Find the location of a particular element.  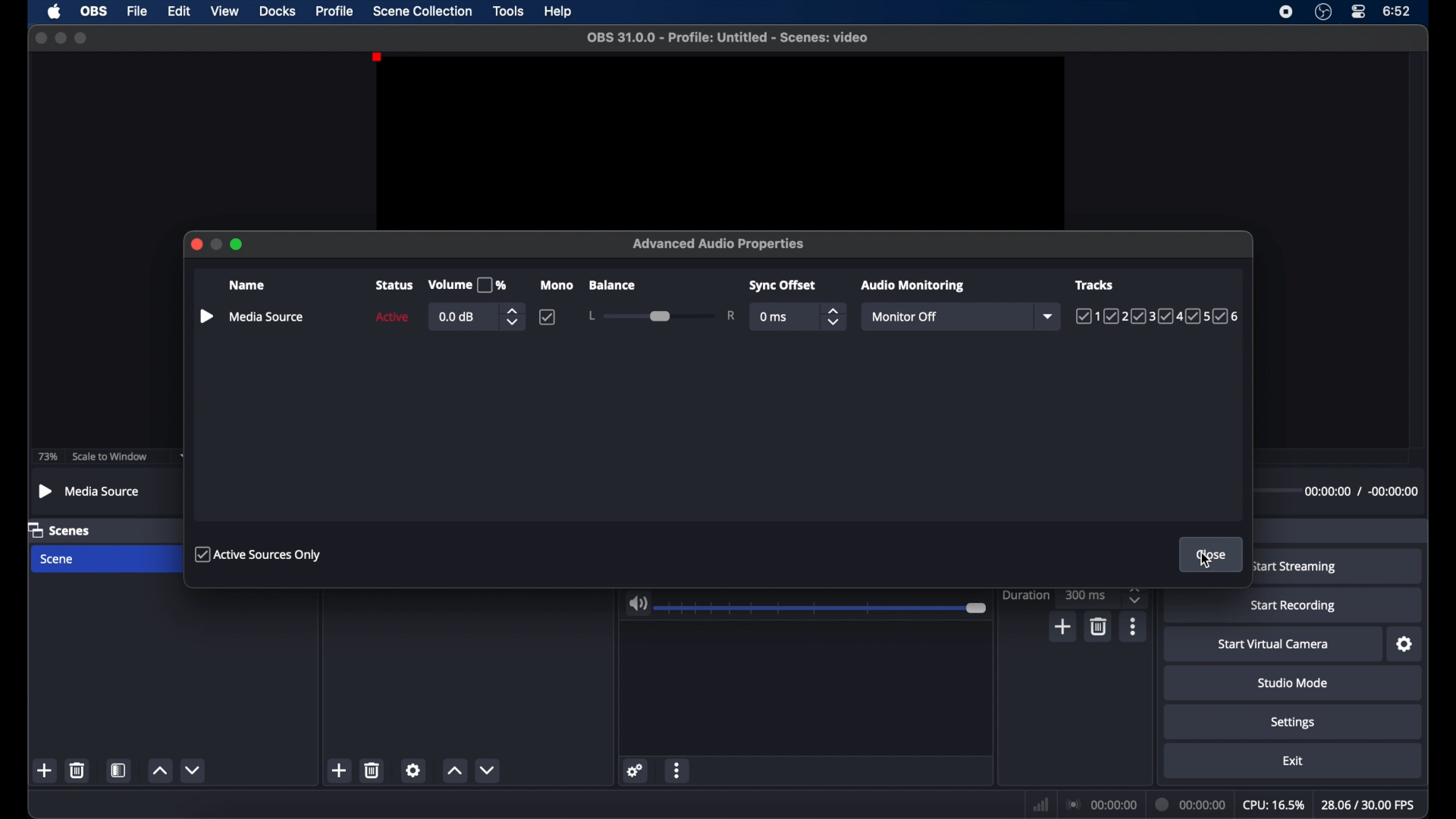

play is located at coordinates (206, 316).